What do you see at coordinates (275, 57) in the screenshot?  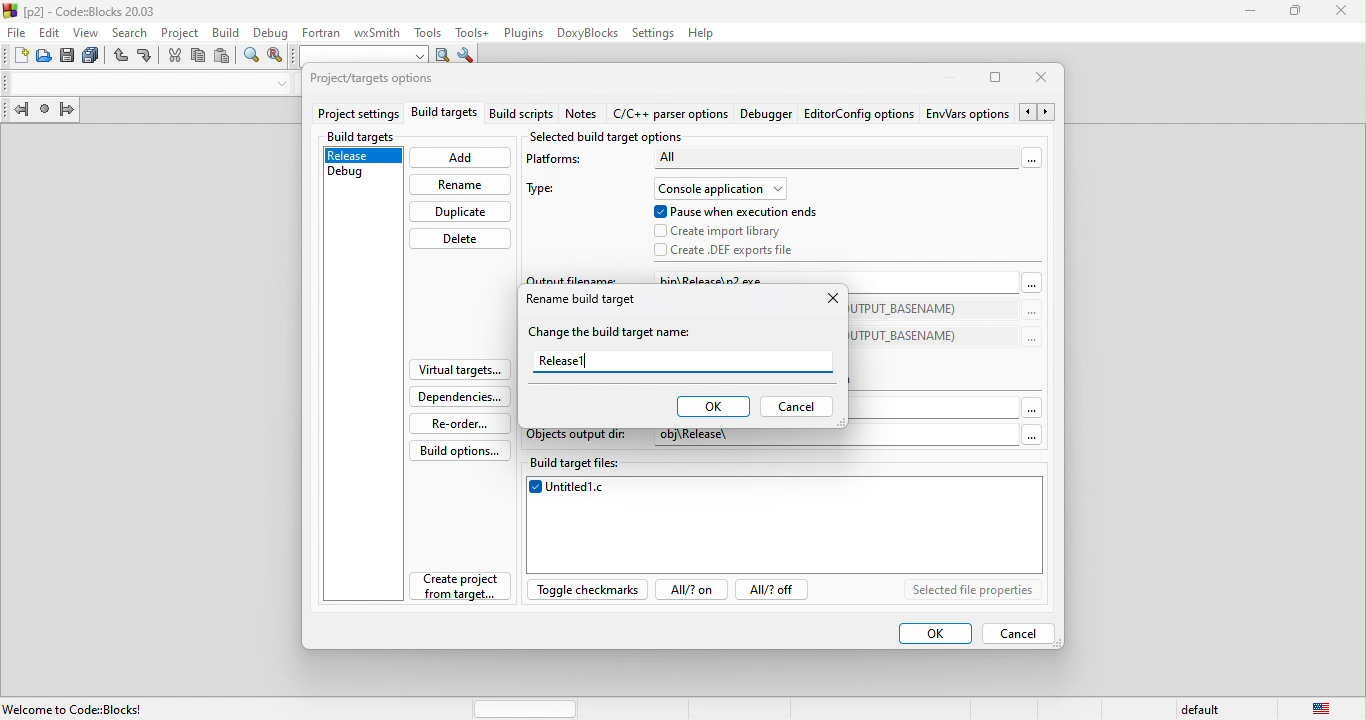 I see `replace` at bounding box center [275, 57].